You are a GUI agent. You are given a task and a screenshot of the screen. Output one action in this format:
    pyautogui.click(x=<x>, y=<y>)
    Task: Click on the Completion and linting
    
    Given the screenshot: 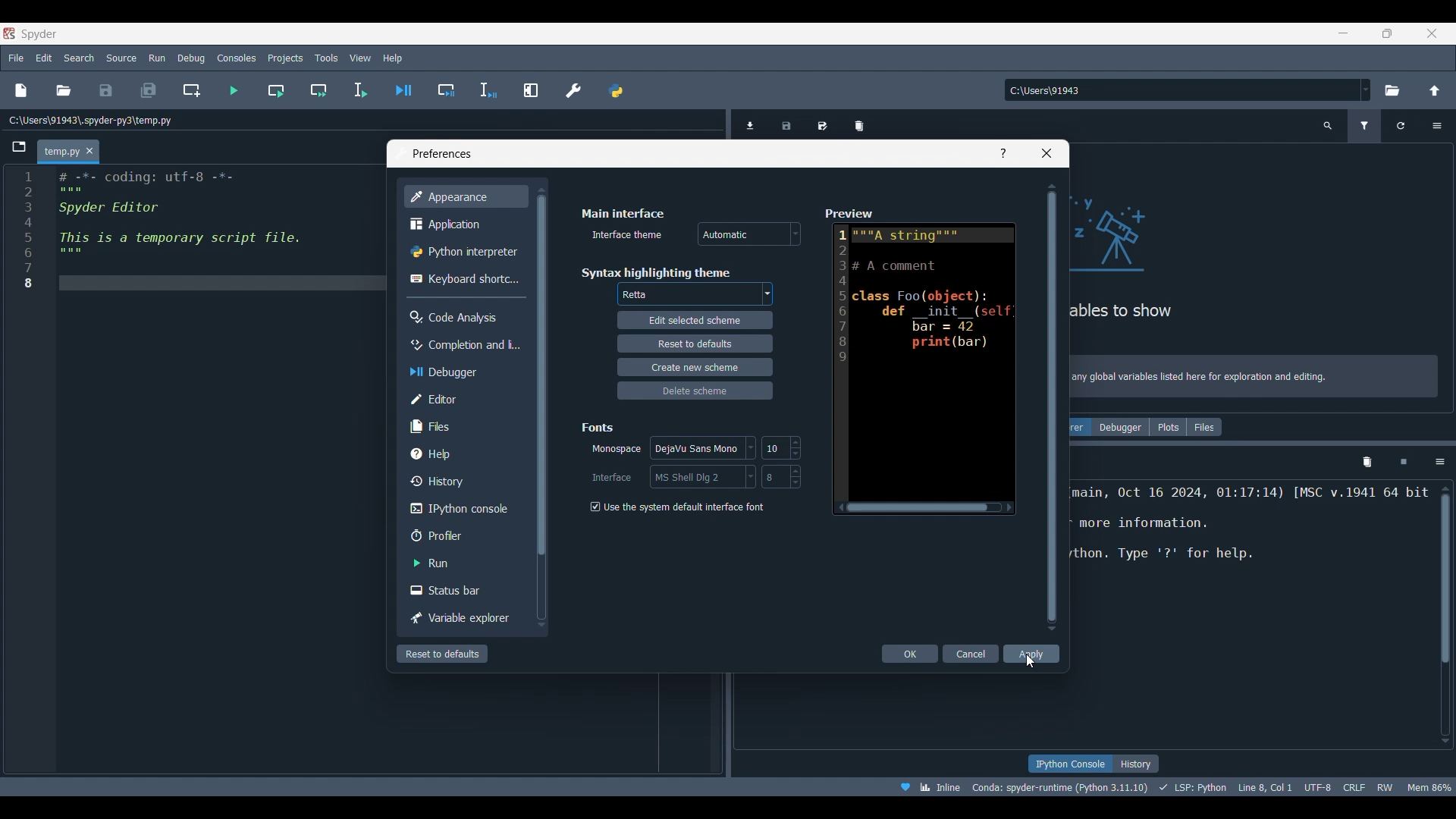 What is the action you would take?
    pyautogui.click(x=463, y=344)
    